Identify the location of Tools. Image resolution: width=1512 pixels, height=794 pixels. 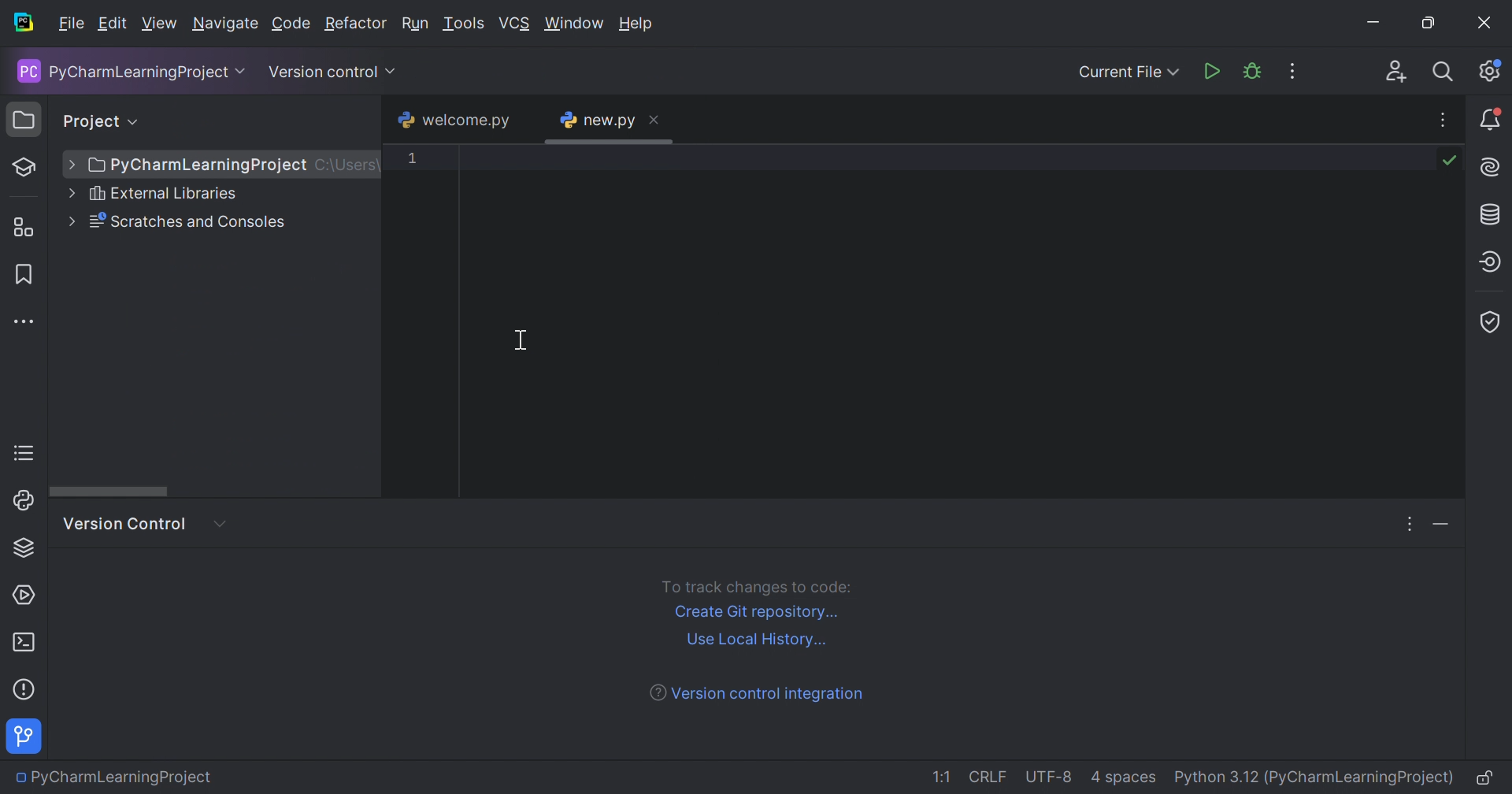
(464, 25).